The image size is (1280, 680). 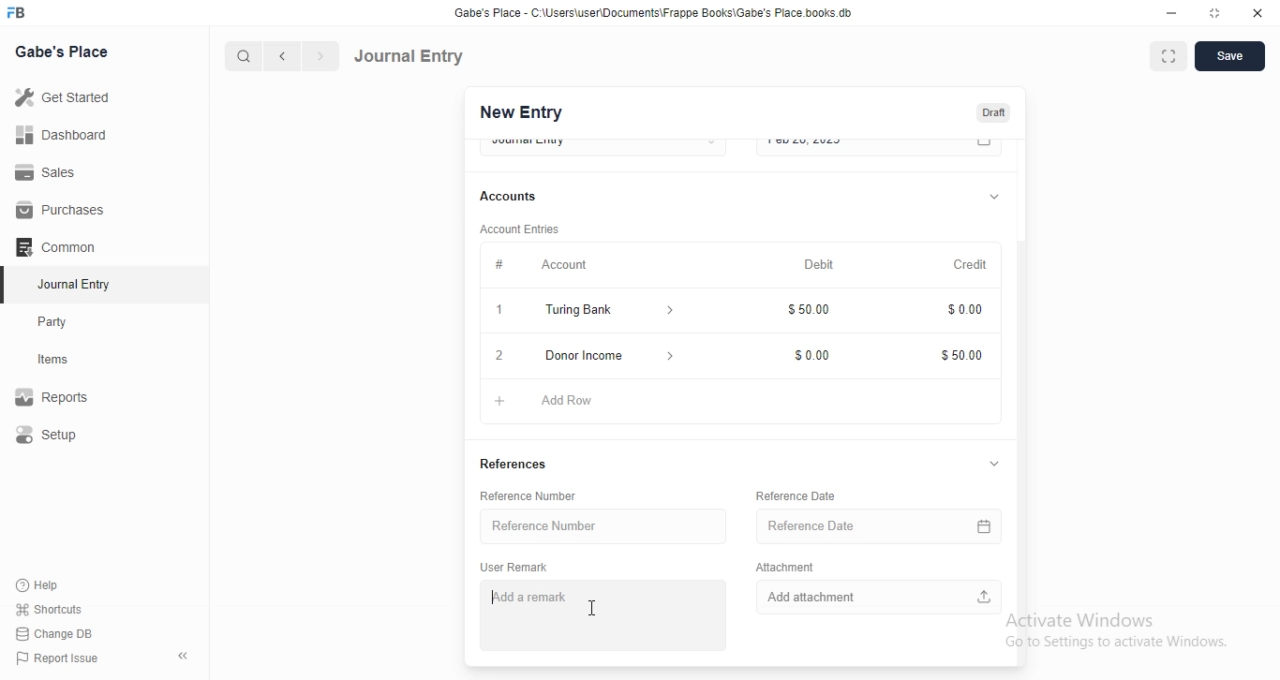 What do you see at coordinates (519, 566) in the screenshot?
I see `User Remark` at bounding box center [519, 566].